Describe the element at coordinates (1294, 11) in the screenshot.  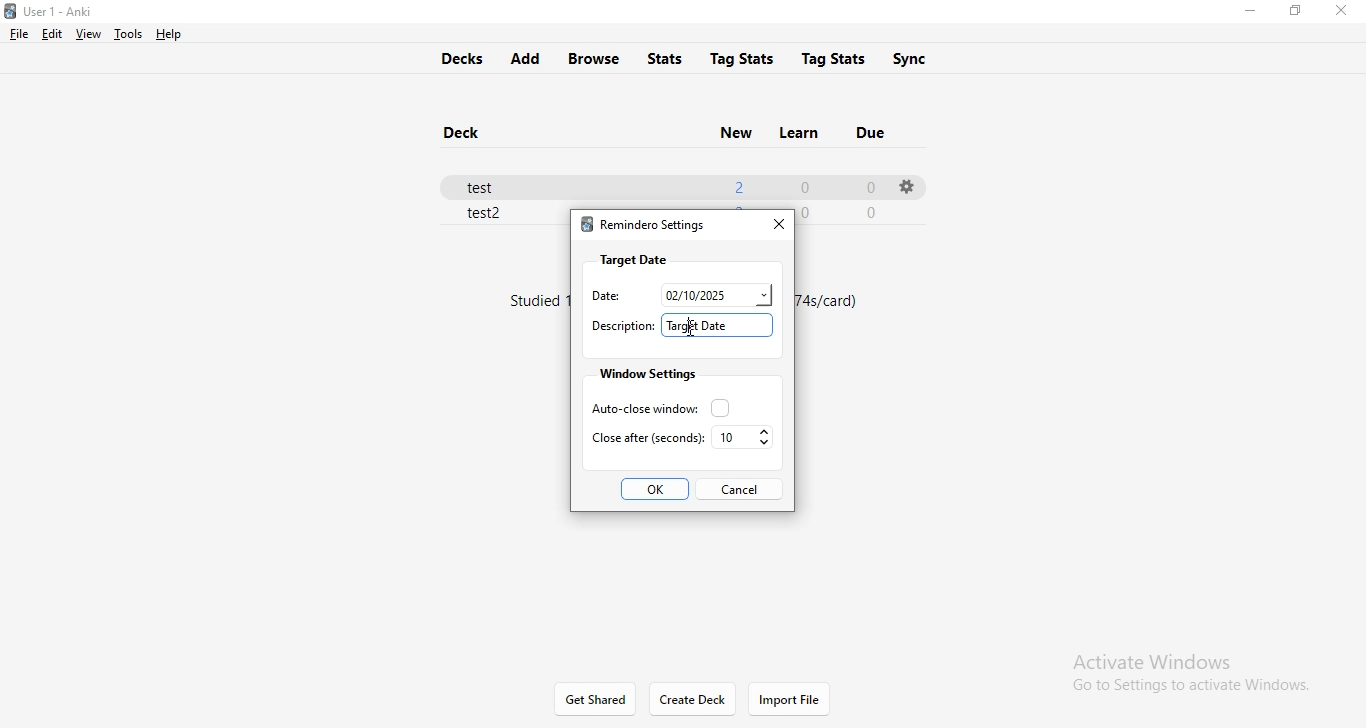
I see `restore` at that location.